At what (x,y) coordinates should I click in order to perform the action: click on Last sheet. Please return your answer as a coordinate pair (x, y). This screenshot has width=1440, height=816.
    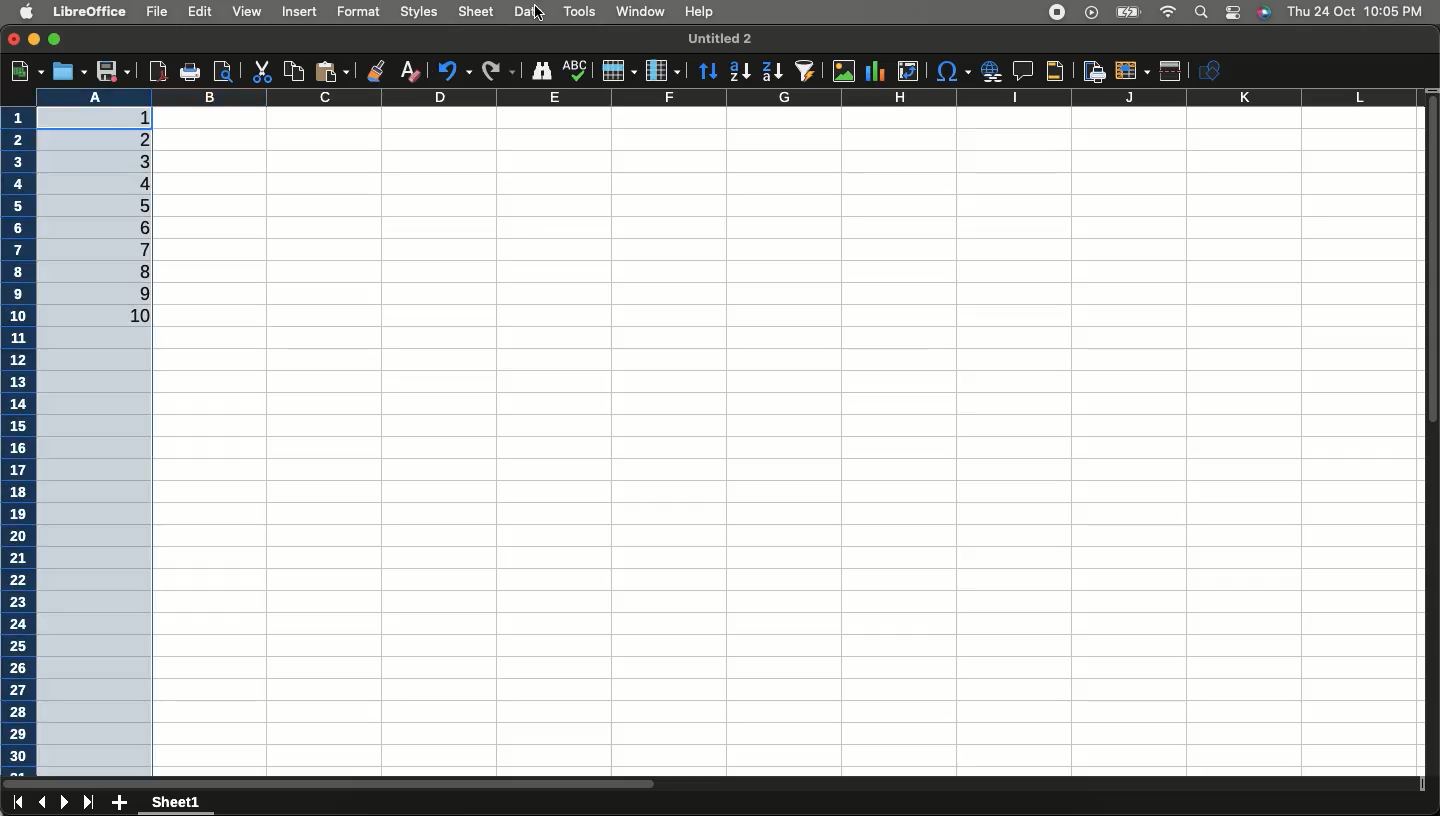
    Looking at the image, I should click on (89, 803).